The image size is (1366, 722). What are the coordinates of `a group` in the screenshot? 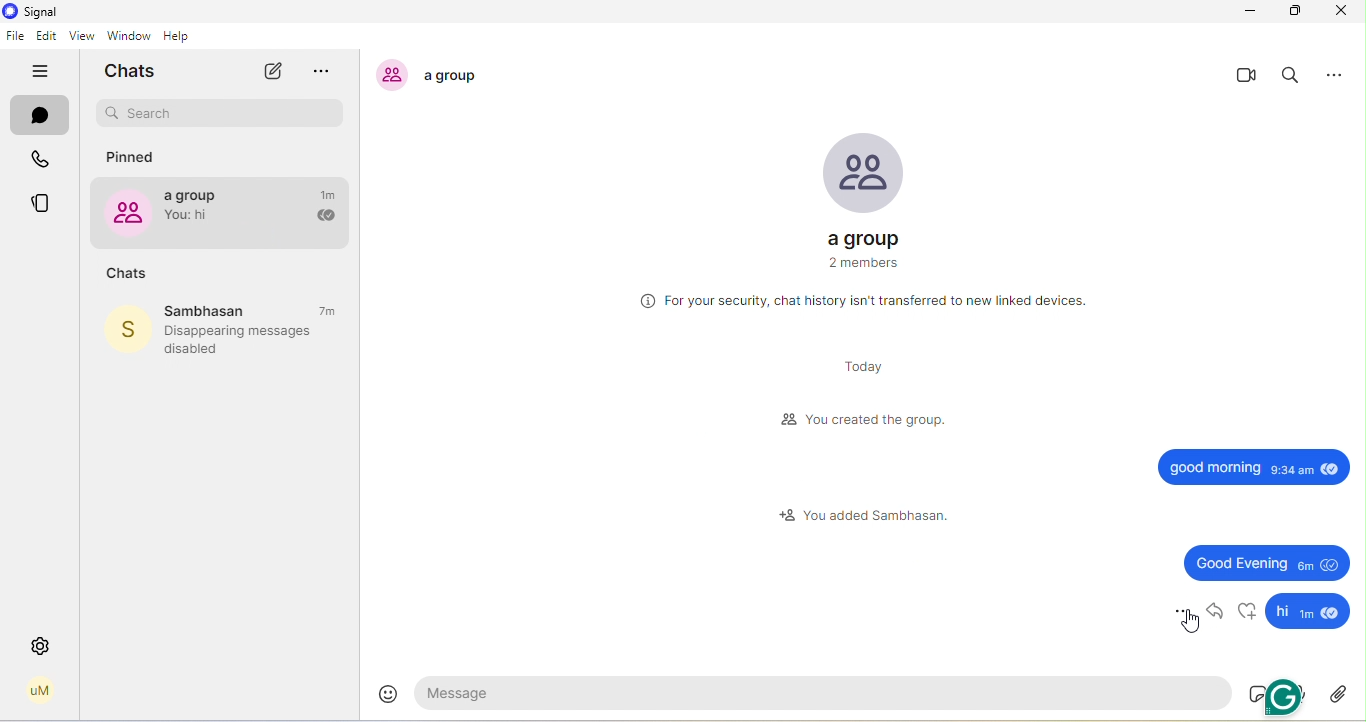 It's located at (198, 210).